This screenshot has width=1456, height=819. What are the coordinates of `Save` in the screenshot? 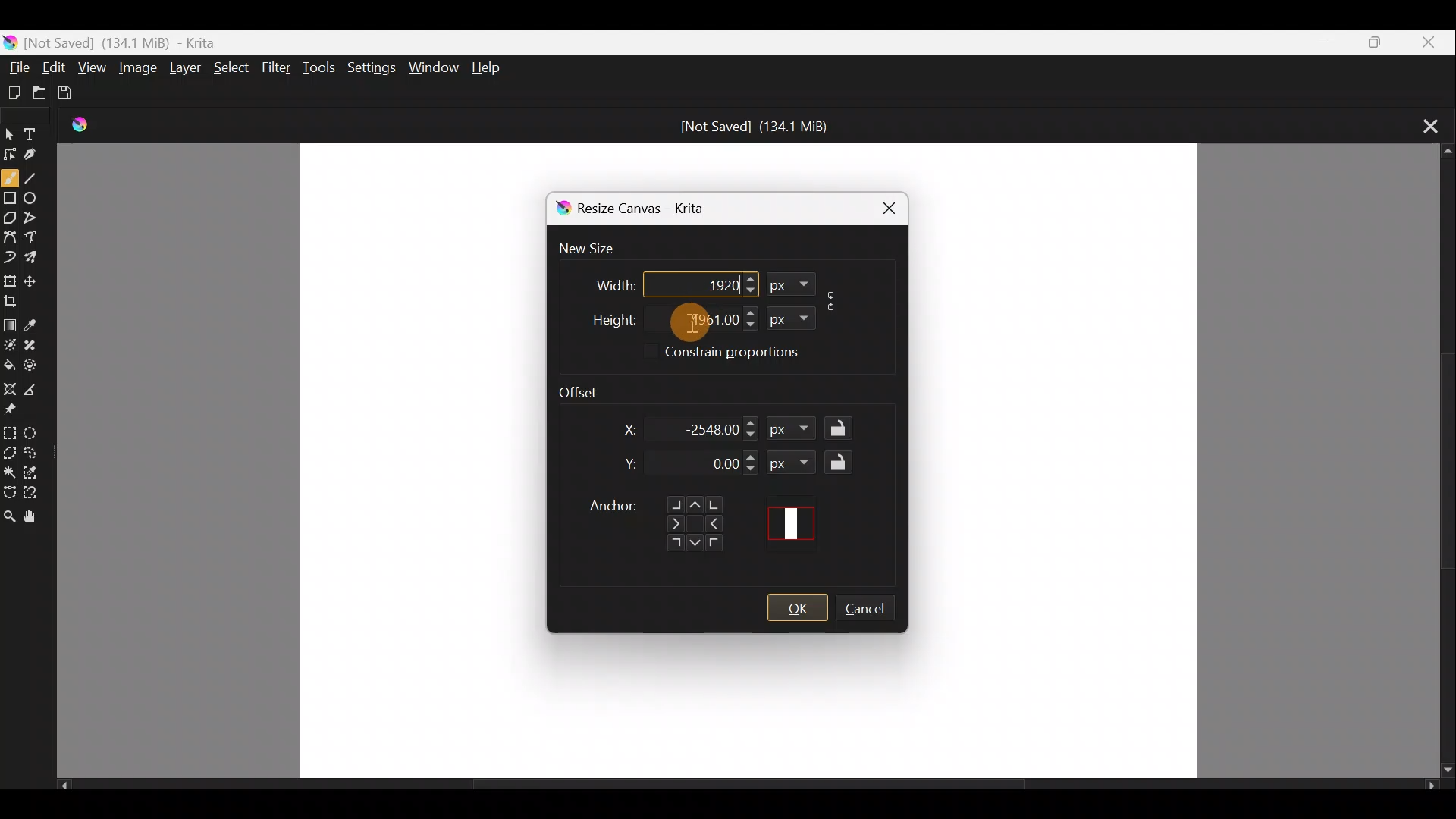 It's located at (79, 96).